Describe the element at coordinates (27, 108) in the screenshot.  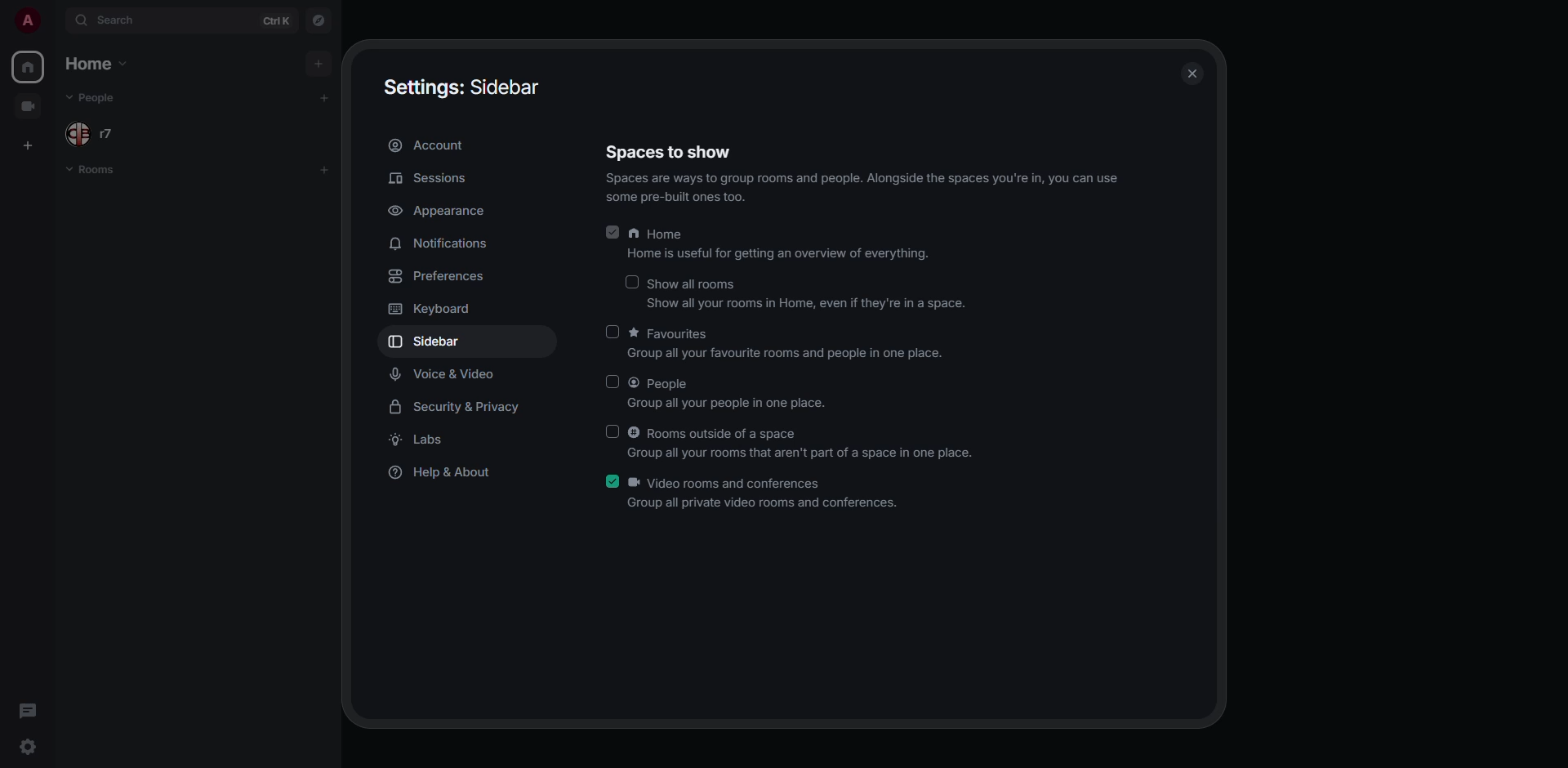
I see `video room` at that location.